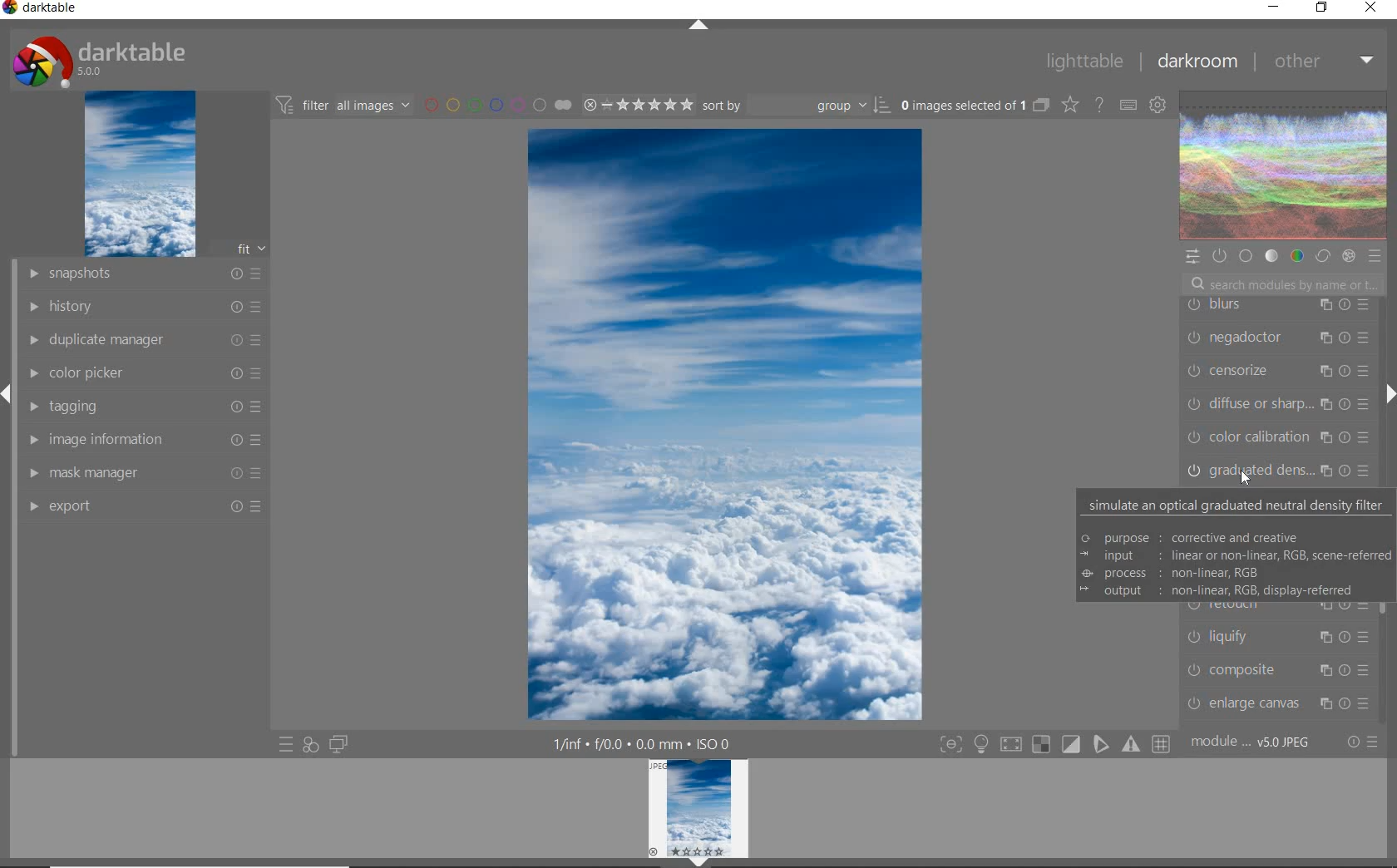 The height and width of the screenshot is (868, 1397). What do you see at coordinates (1276, 372) in the screenshot?
I see `censorize` at bounding box center [1276, 372].